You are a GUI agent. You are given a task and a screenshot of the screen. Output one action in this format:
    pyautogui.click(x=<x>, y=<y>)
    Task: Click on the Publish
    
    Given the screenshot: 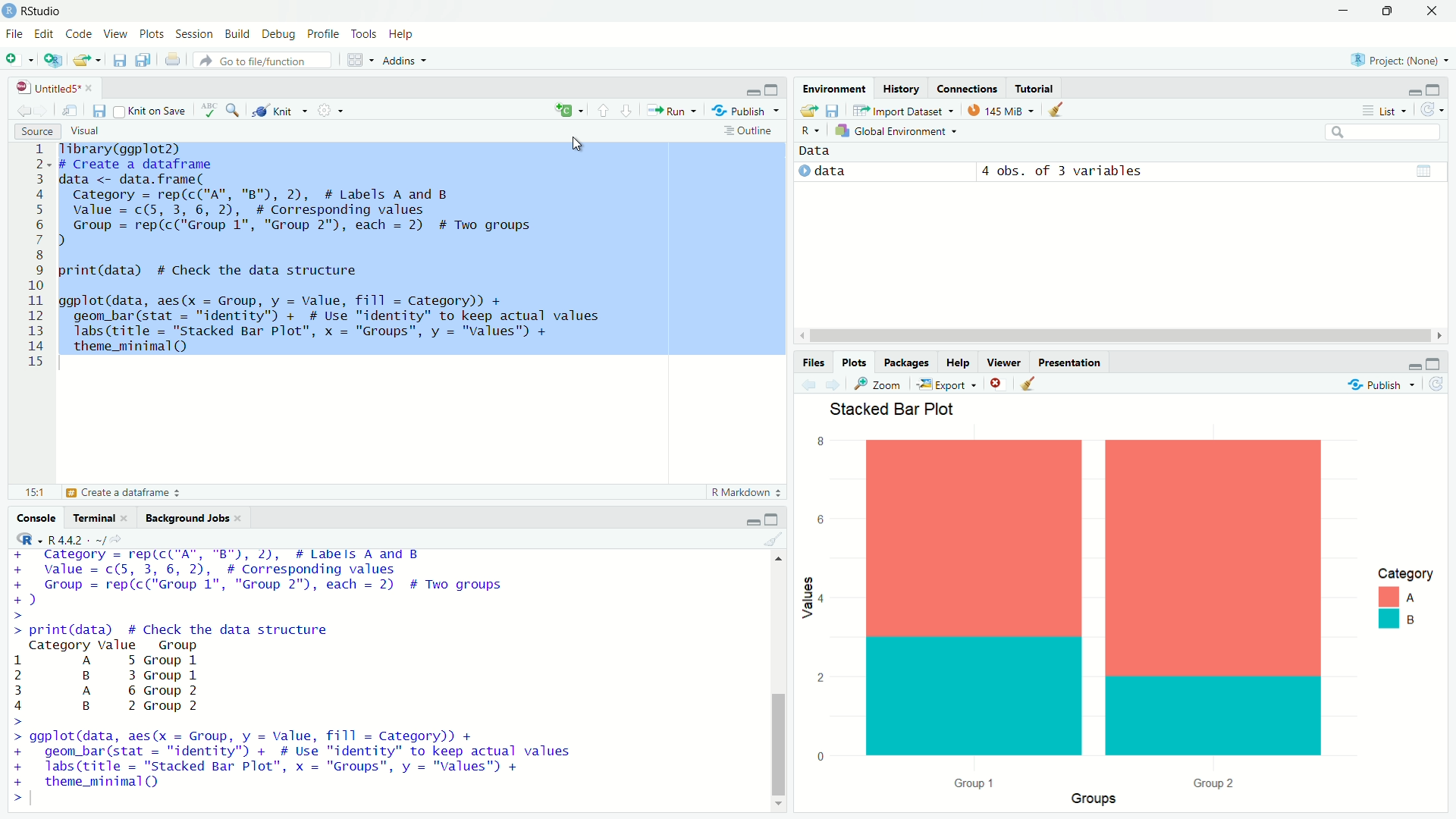 What is the action you would take?
    pyautogui.click(x=1378, y=384)
    